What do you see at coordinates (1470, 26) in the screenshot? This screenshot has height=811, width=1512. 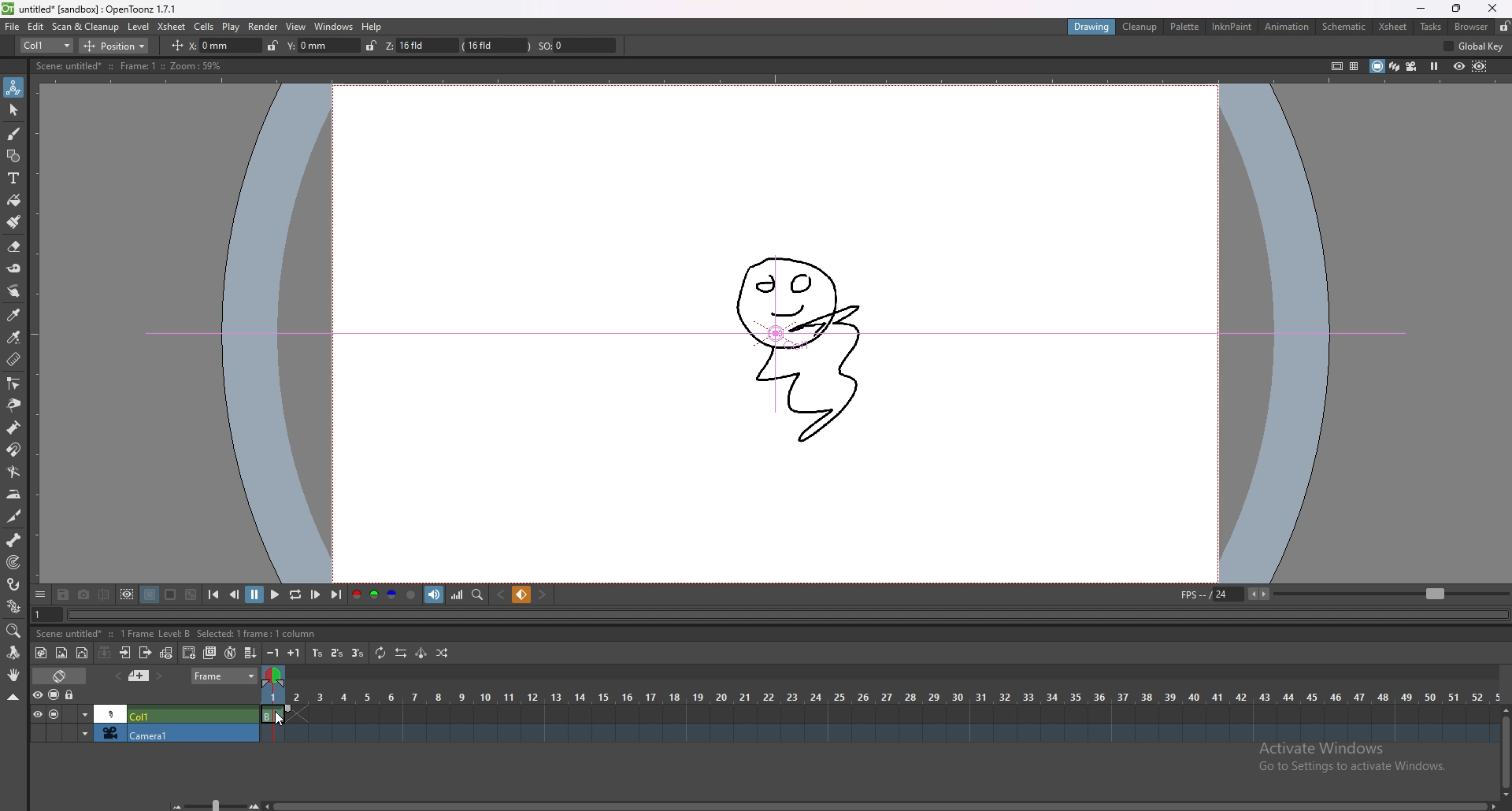 I see `browser` at bounding box center [1470, 26].